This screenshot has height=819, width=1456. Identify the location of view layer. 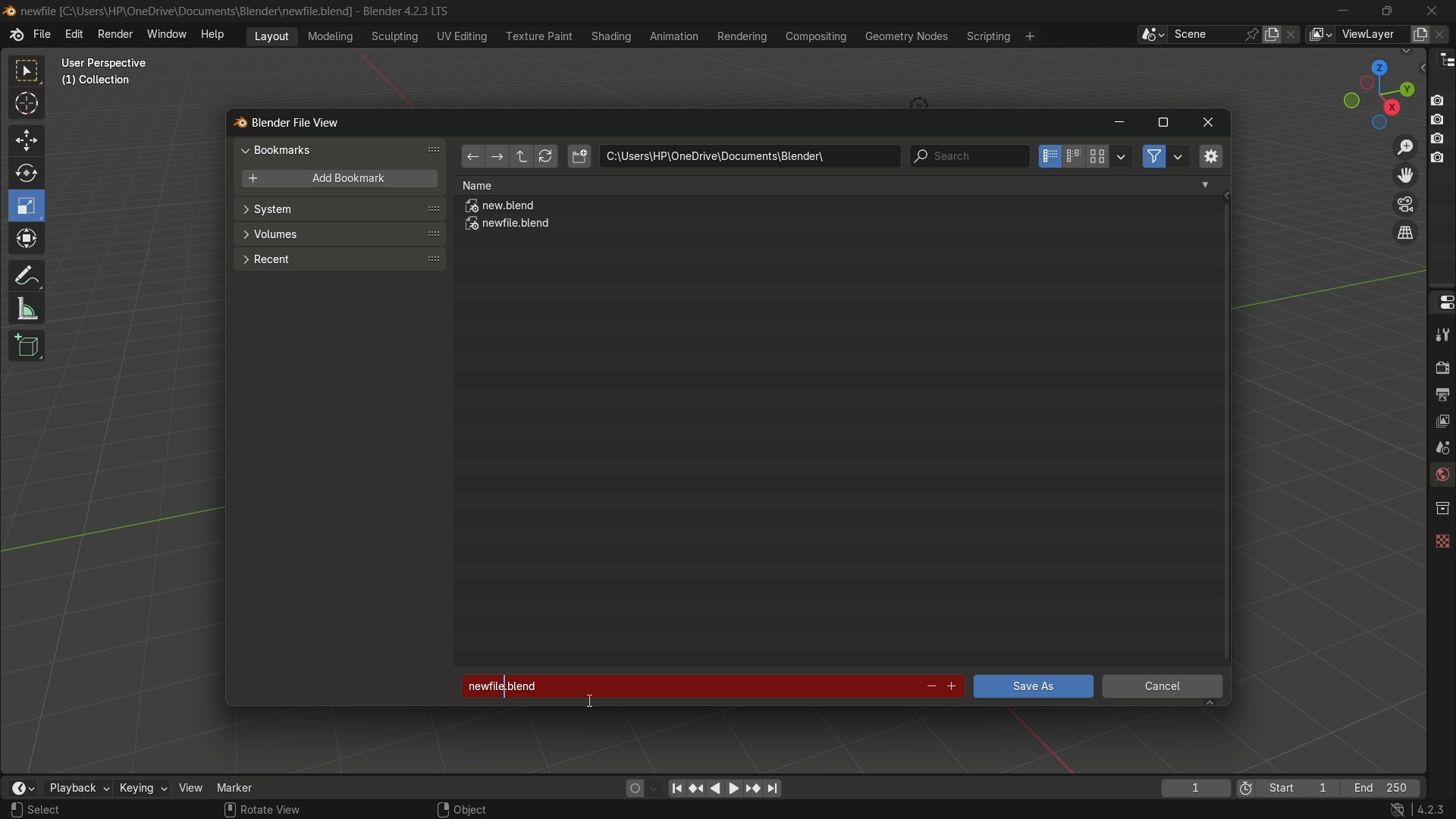
(1441, 419).